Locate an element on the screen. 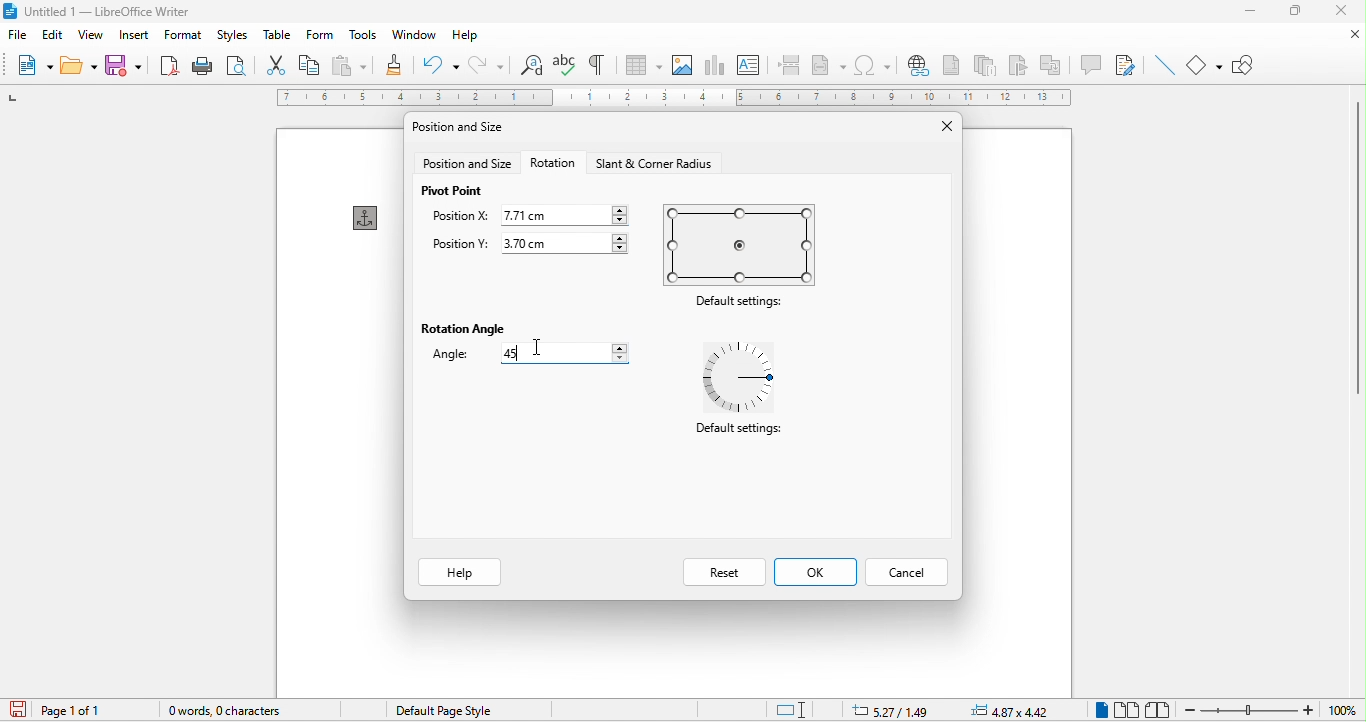  click to save the document is located at coordinates (16, 710).